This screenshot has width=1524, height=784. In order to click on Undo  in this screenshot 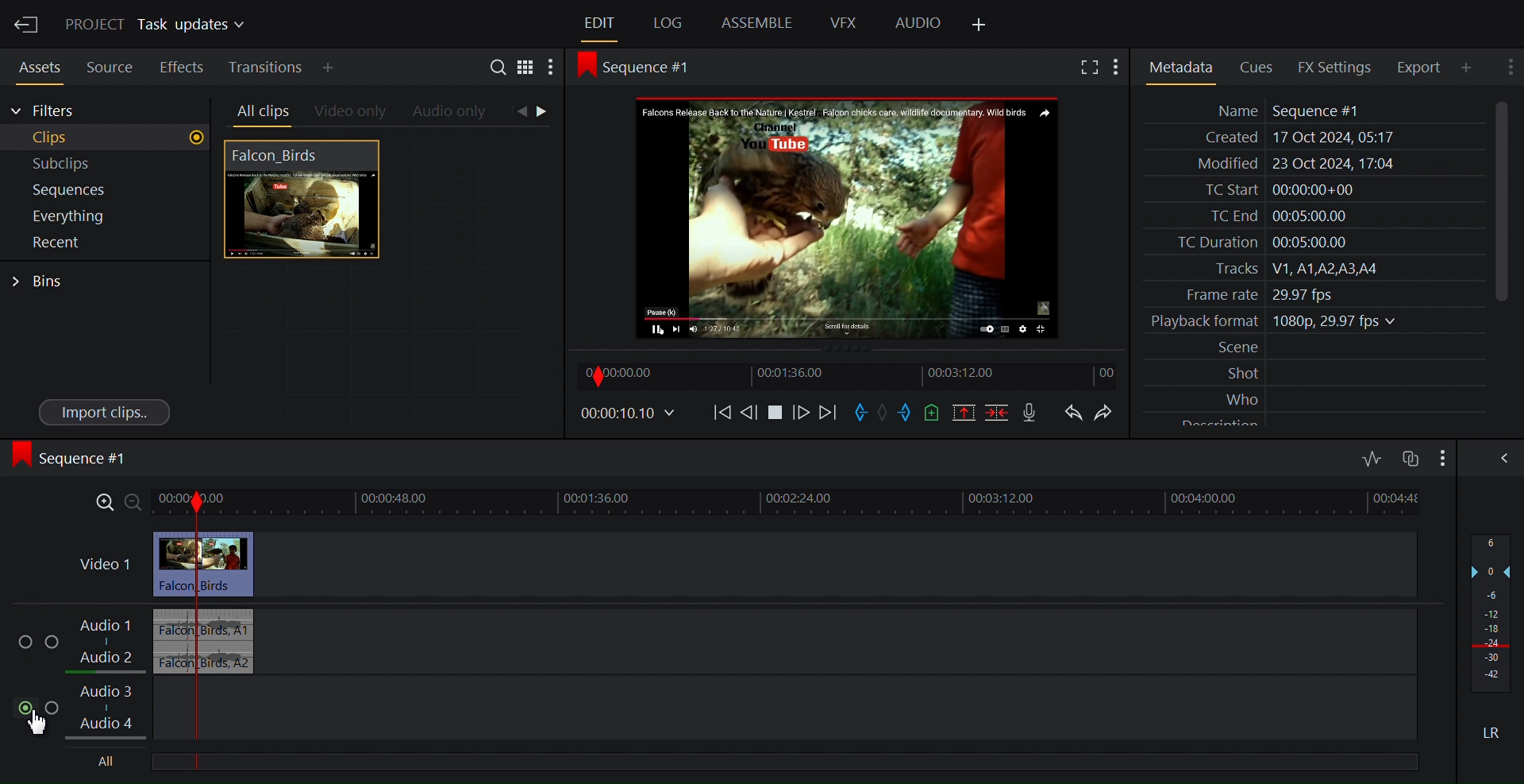, I will do `click(1073, 413)`.